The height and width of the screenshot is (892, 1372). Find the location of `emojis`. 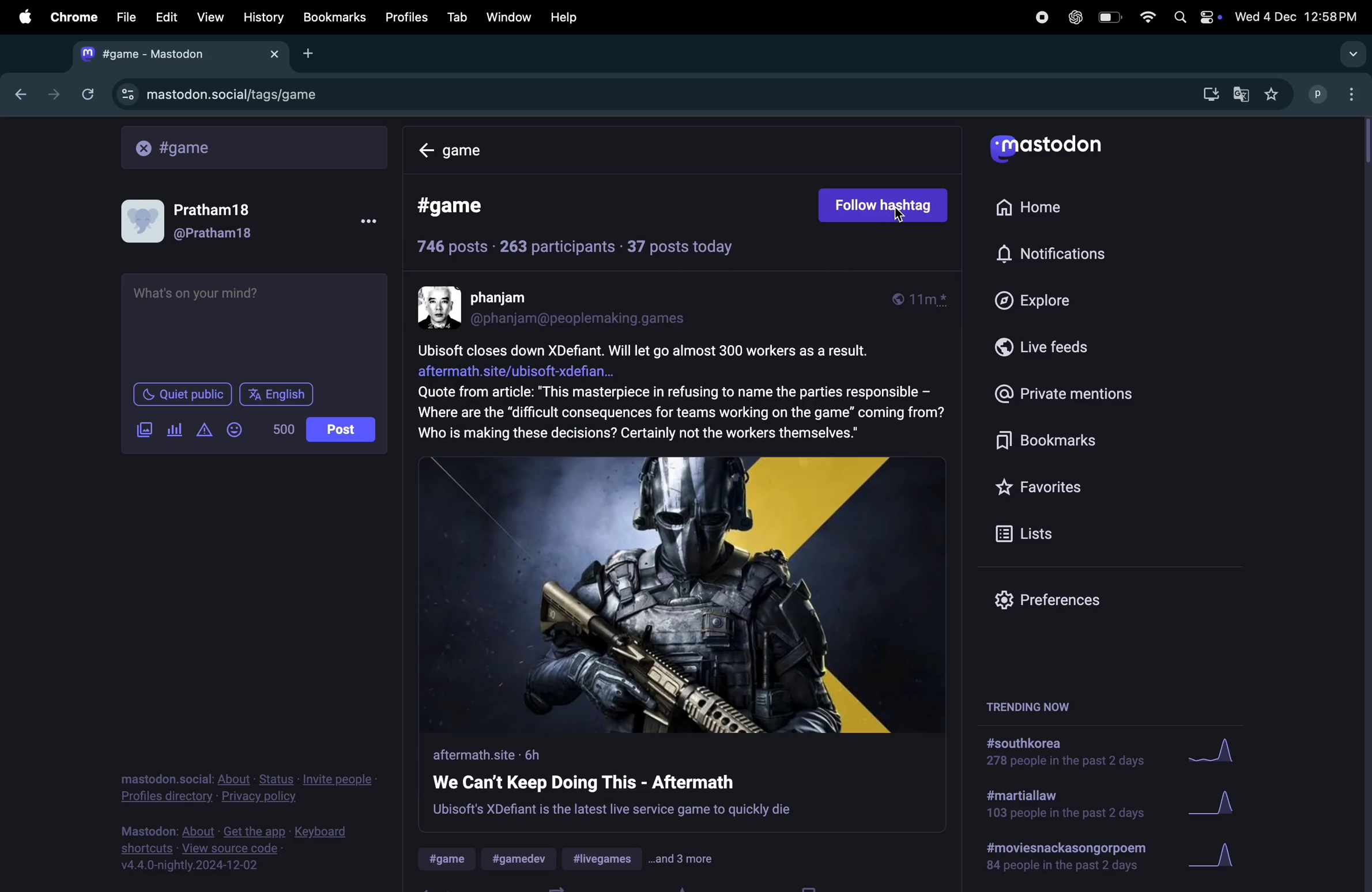

emojis is located at coordinates (239, 430).